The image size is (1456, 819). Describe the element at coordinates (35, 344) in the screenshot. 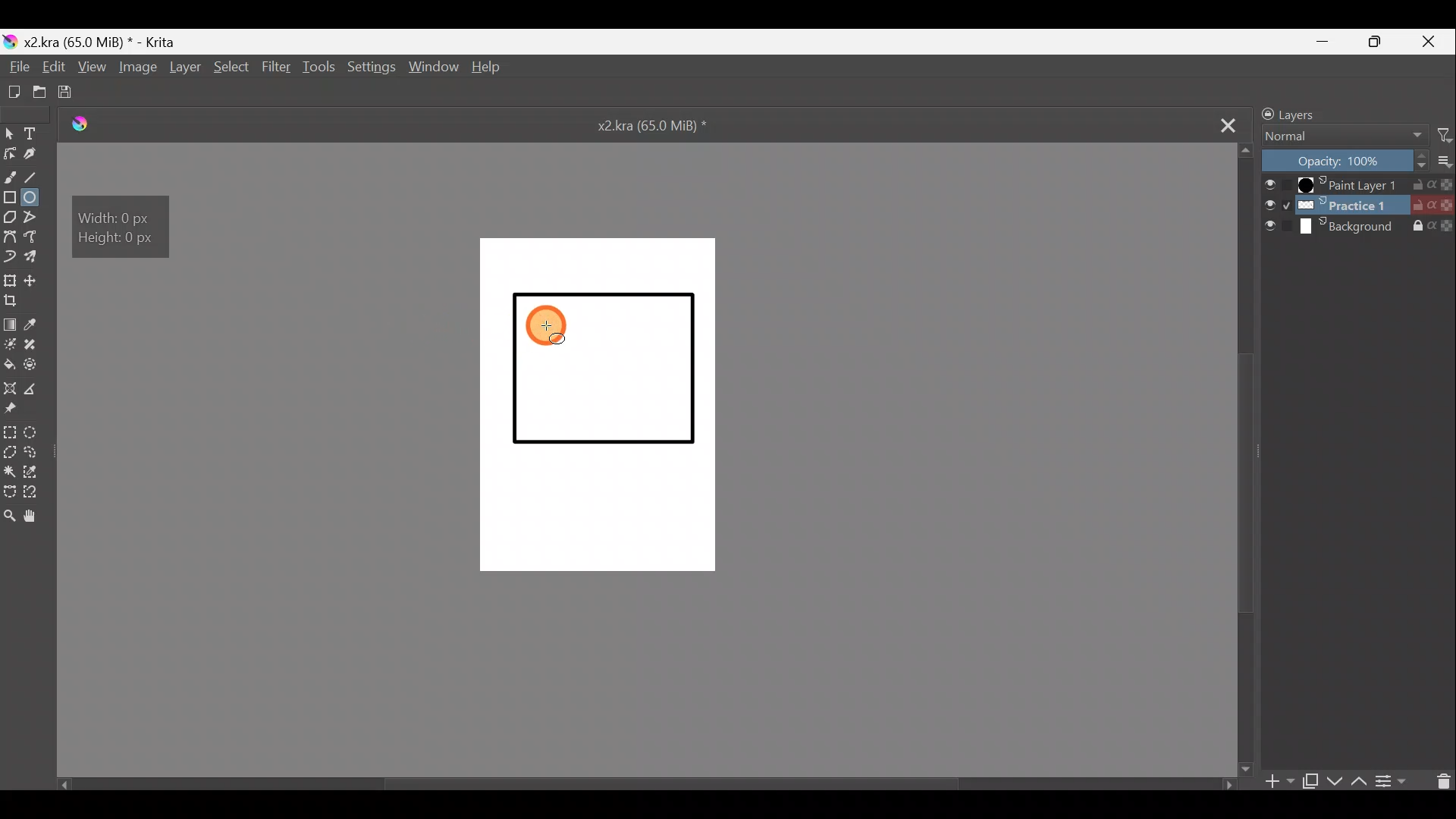

I see `Smart patch tool` at that location.